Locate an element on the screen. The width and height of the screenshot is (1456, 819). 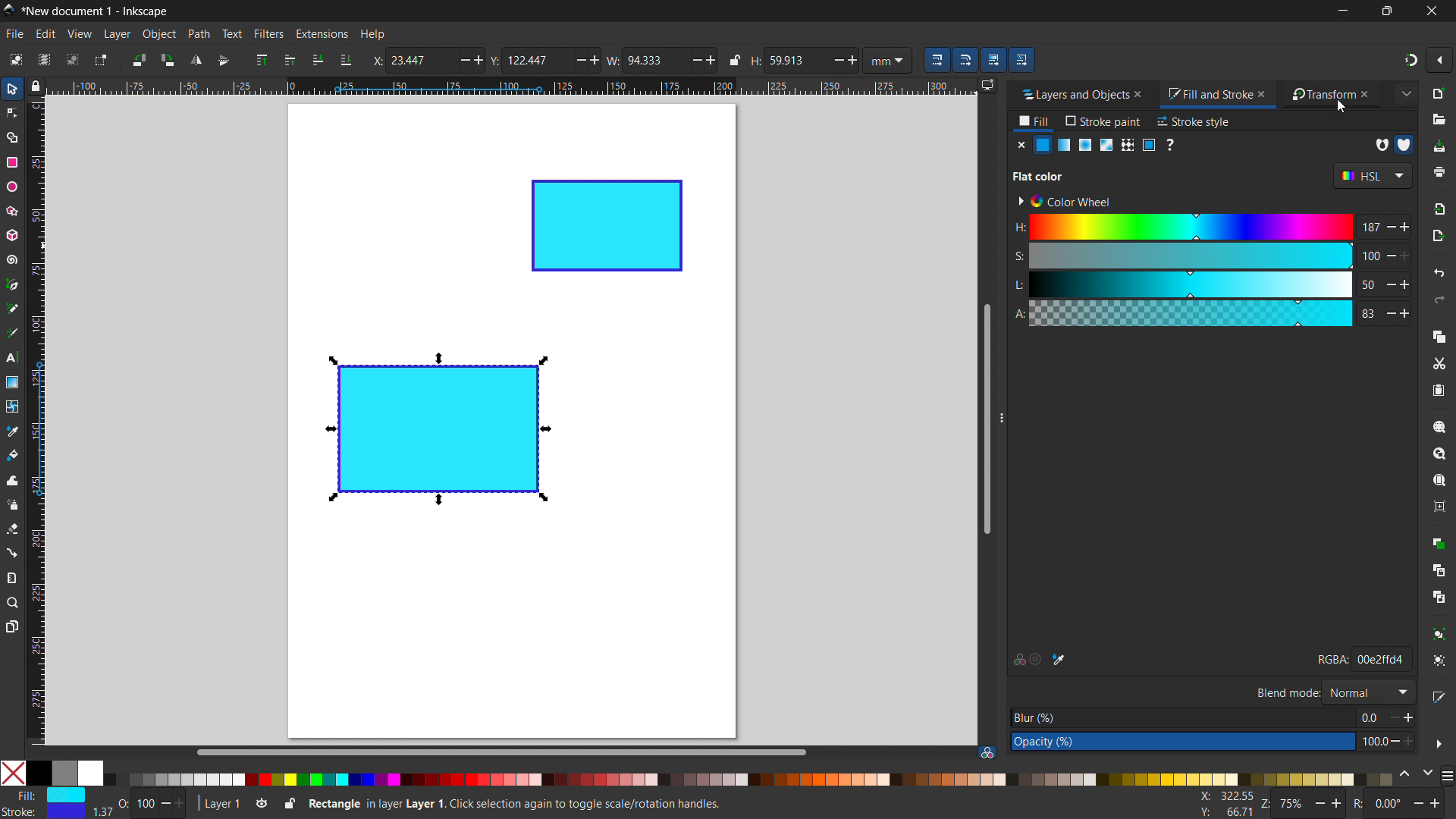
Minus/ Decrease is located at coordinates (578, 59).